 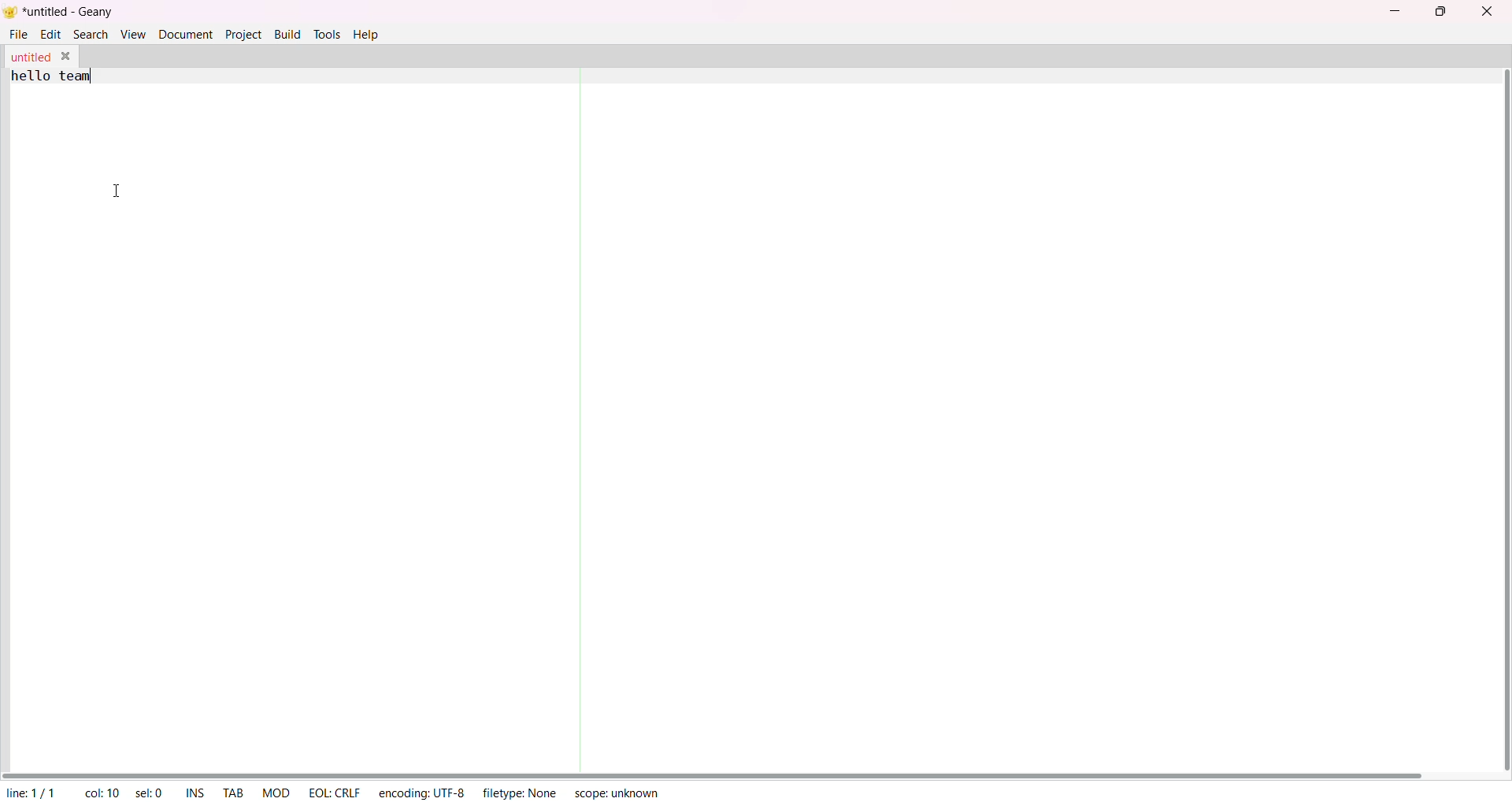 What do you see at coordinates (235, 791) in the screenshot?
I see `tab` at bounding box center [235, 791].